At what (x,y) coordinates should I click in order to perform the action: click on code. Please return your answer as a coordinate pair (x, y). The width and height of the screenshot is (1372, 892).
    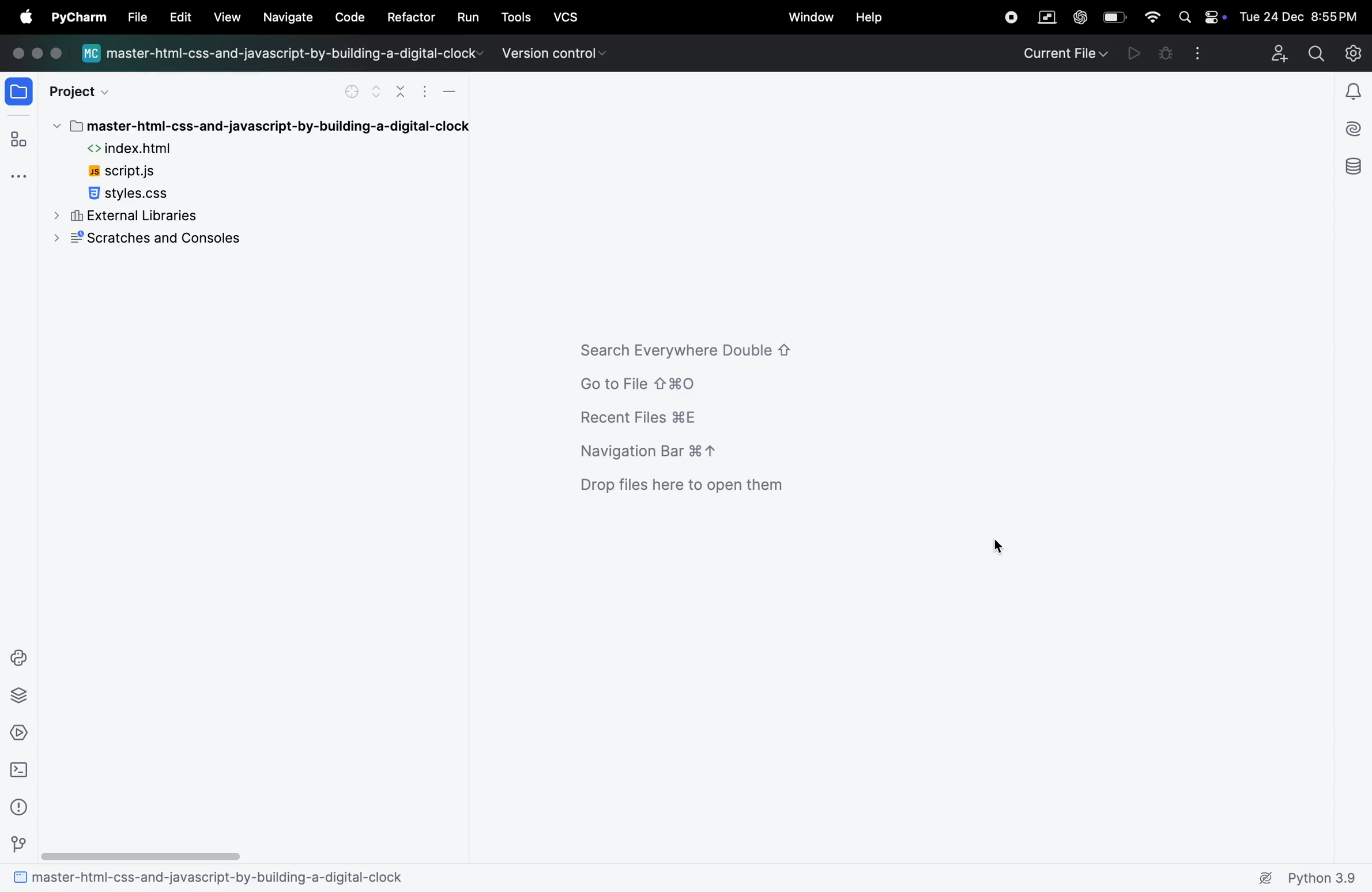
    Looking at the image, I should click on (348, 16).